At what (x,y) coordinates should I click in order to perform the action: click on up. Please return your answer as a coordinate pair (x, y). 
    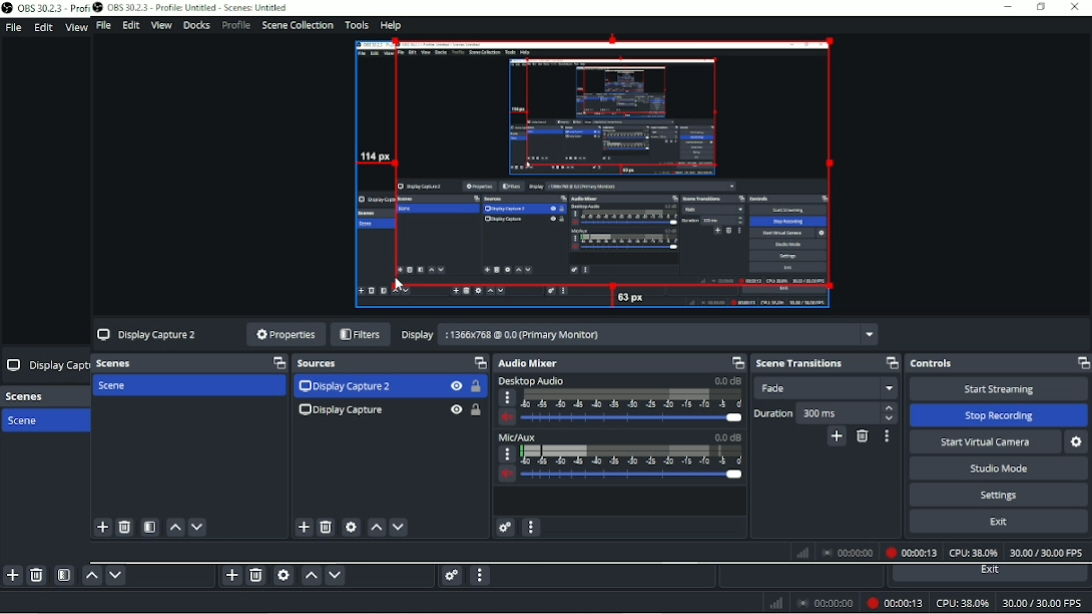
    Looking at the image, I should click on (377, 529).